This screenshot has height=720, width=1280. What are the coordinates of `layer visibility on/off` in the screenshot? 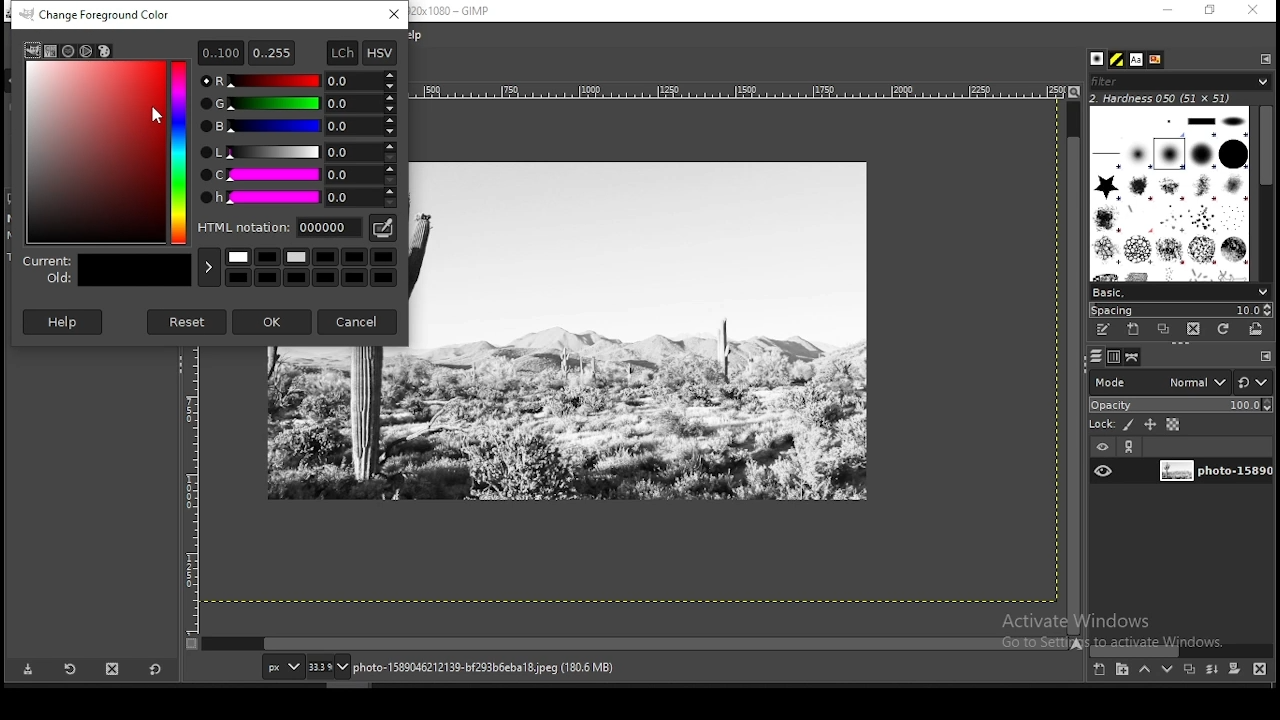 It's located at (1104, 471).